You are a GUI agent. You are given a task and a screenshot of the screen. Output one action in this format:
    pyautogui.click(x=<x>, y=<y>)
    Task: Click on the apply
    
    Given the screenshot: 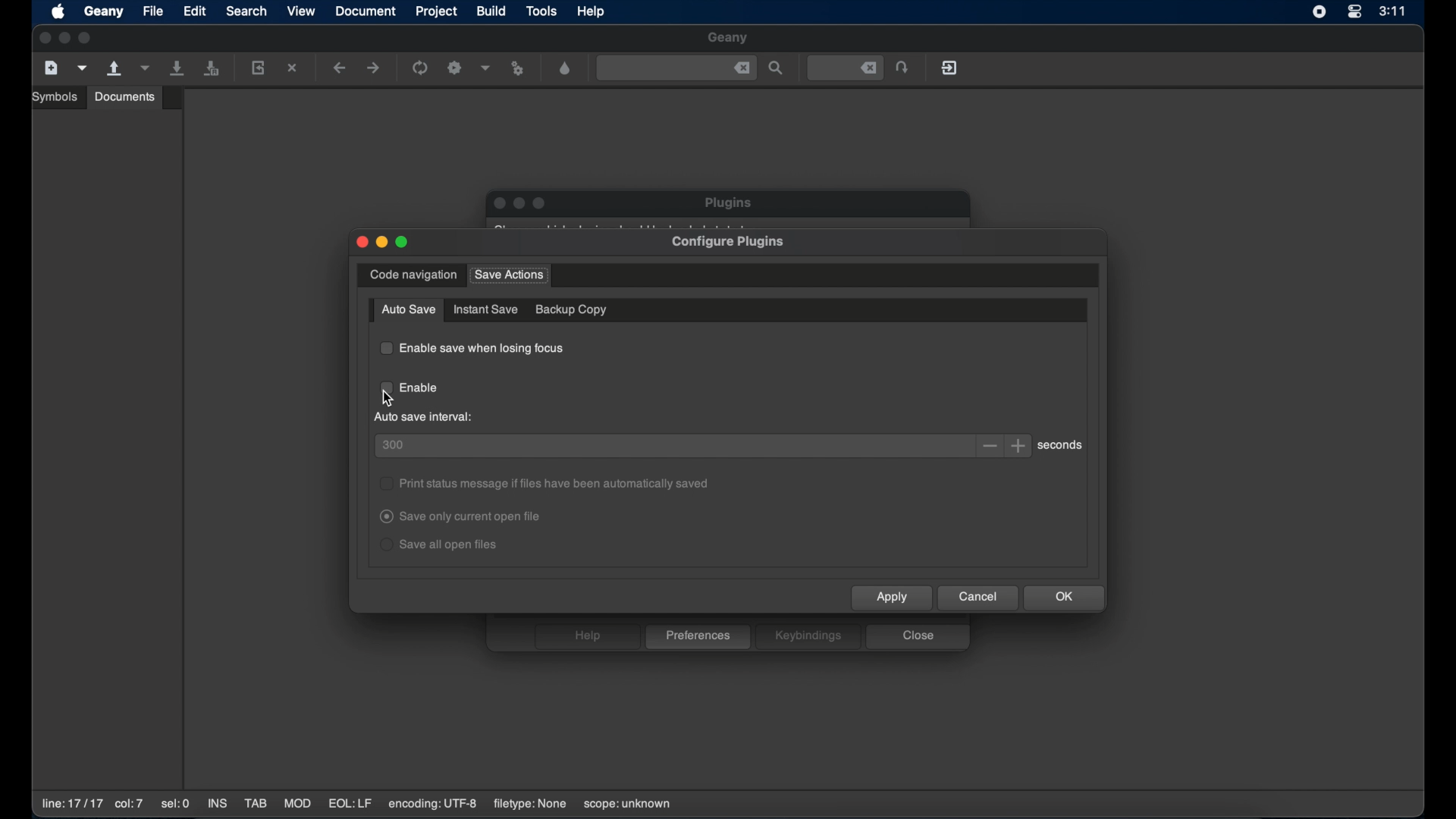 What is the action you would take?
    pyautogui.click(x=893, y=598)
    